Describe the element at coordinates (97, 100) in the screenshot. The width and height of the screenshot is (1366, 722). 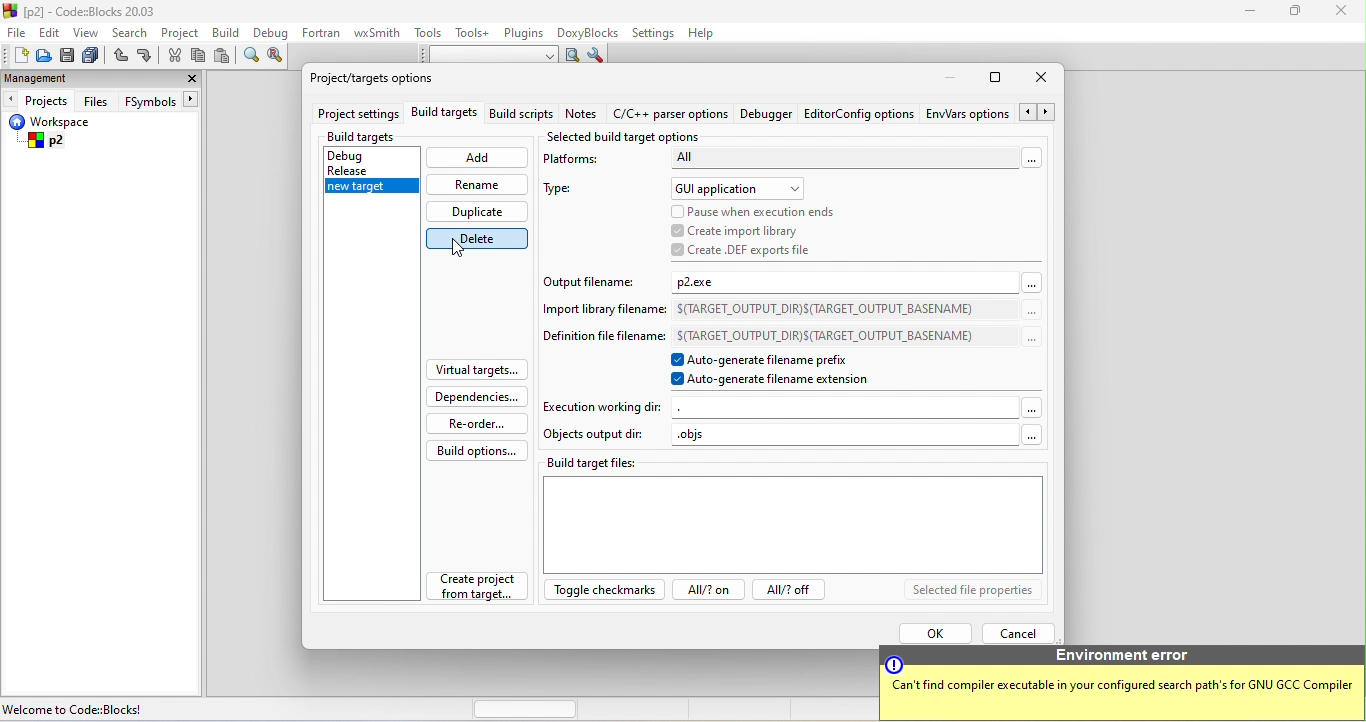
I see `files` at that location.